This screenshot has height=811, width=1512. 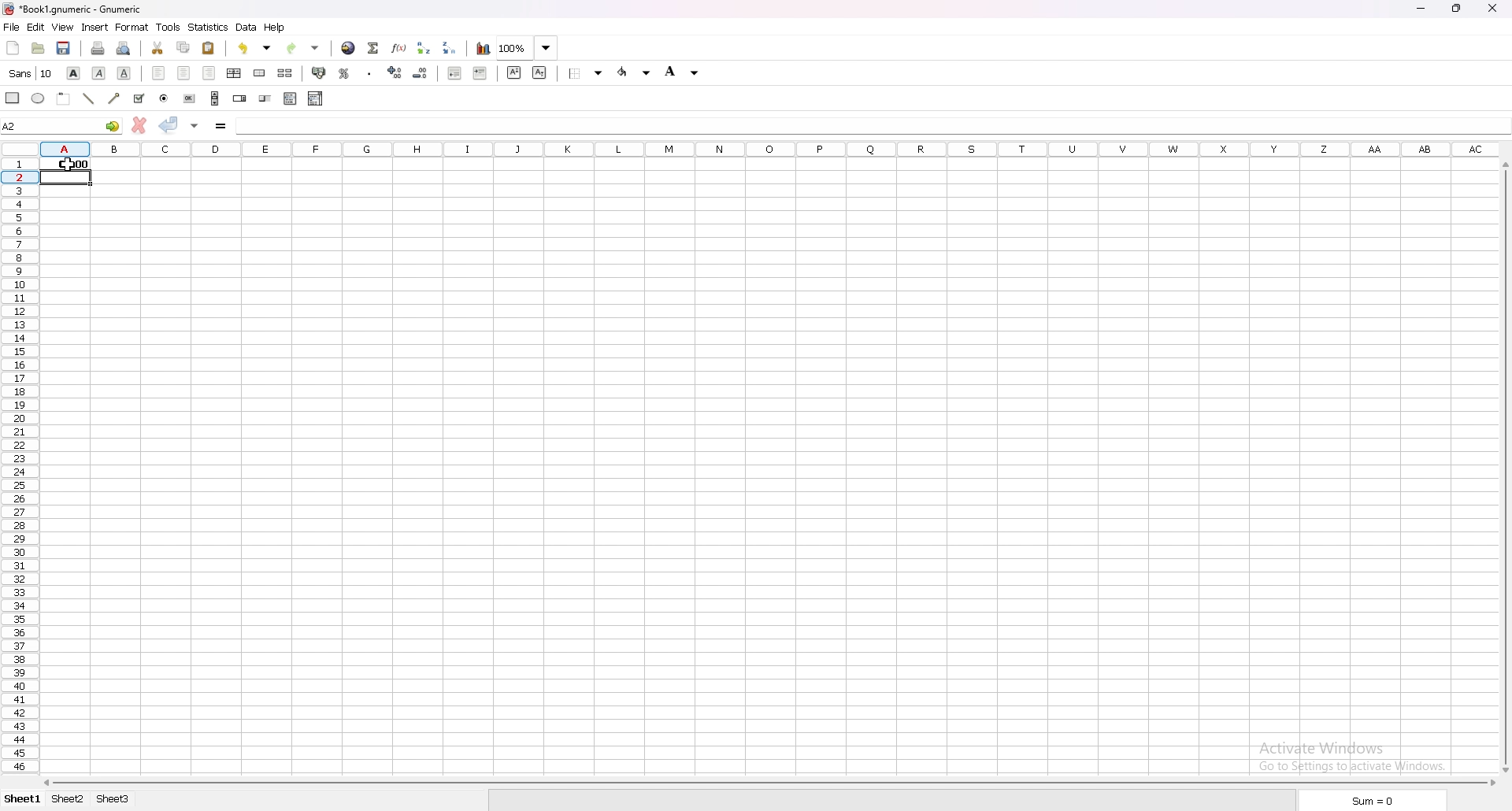 What do you see at coordinates (123, 49) in the screenshot?
I see `print preview` at bounding box center [123, 49].